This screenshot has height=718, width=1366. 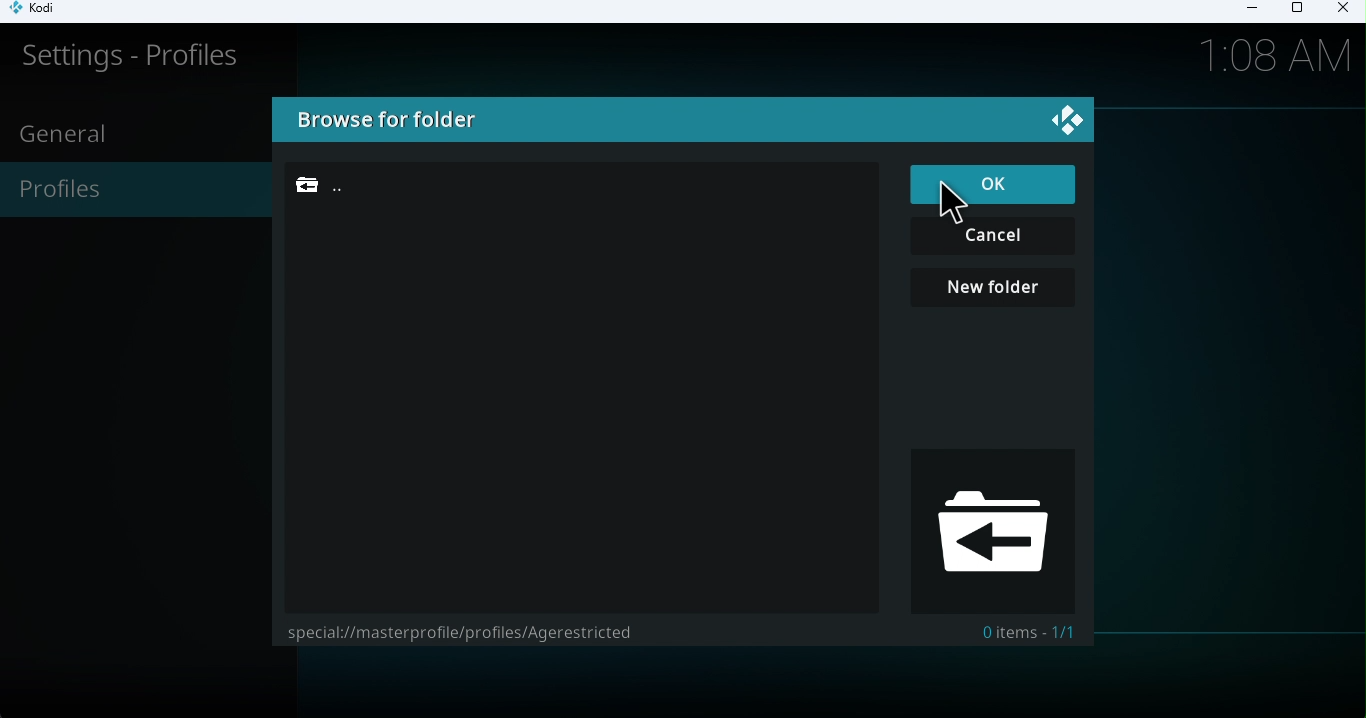 I want to click on Folder, so click(x=571, y=181).